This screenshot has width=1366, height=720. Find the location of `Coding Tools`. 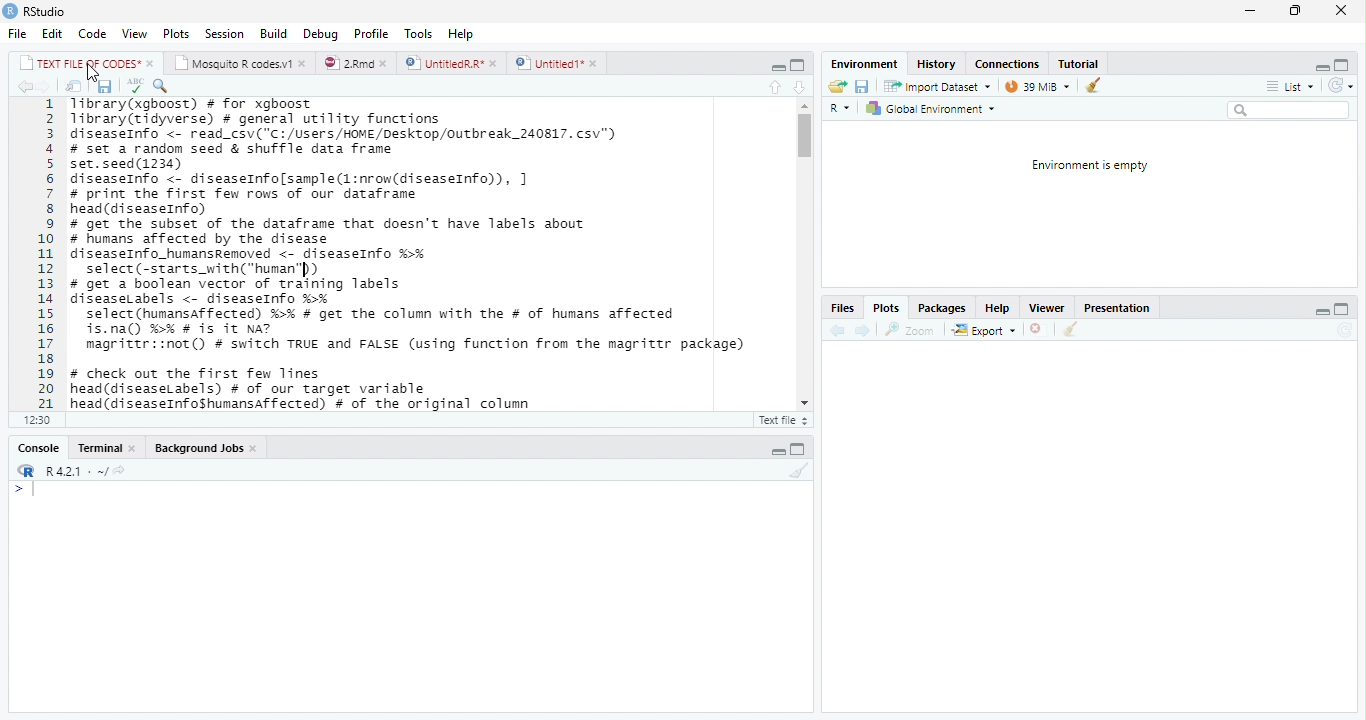

Coding Tools is located at coordinates (266, 84).